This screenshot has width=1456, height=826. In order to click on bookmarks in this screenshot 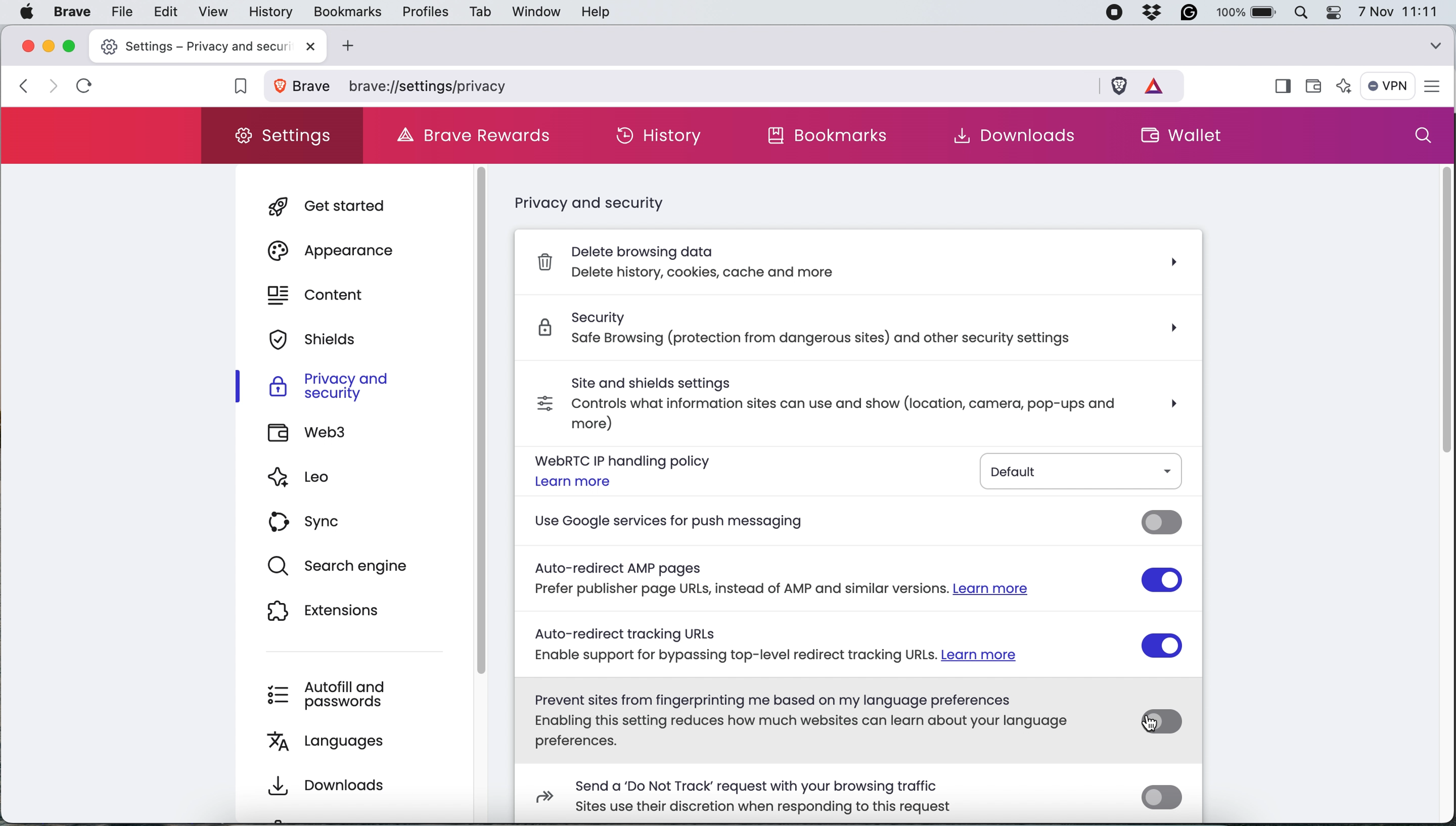, I will do `click(832, 136)`.